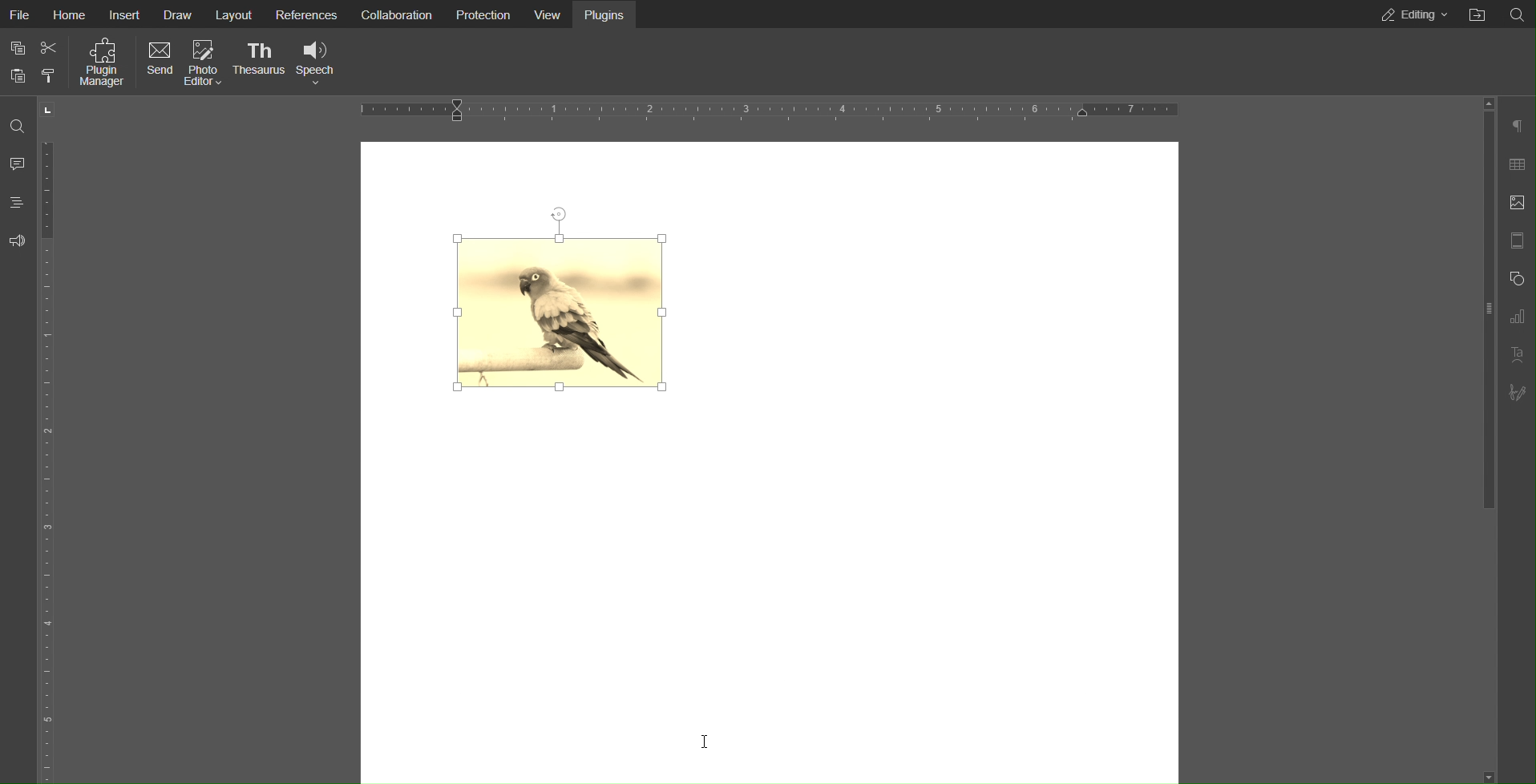  What do you see at coordinates (1516, 317) in the screenshot?
I see `Graph Settings` at bounding box center [1516, 317].